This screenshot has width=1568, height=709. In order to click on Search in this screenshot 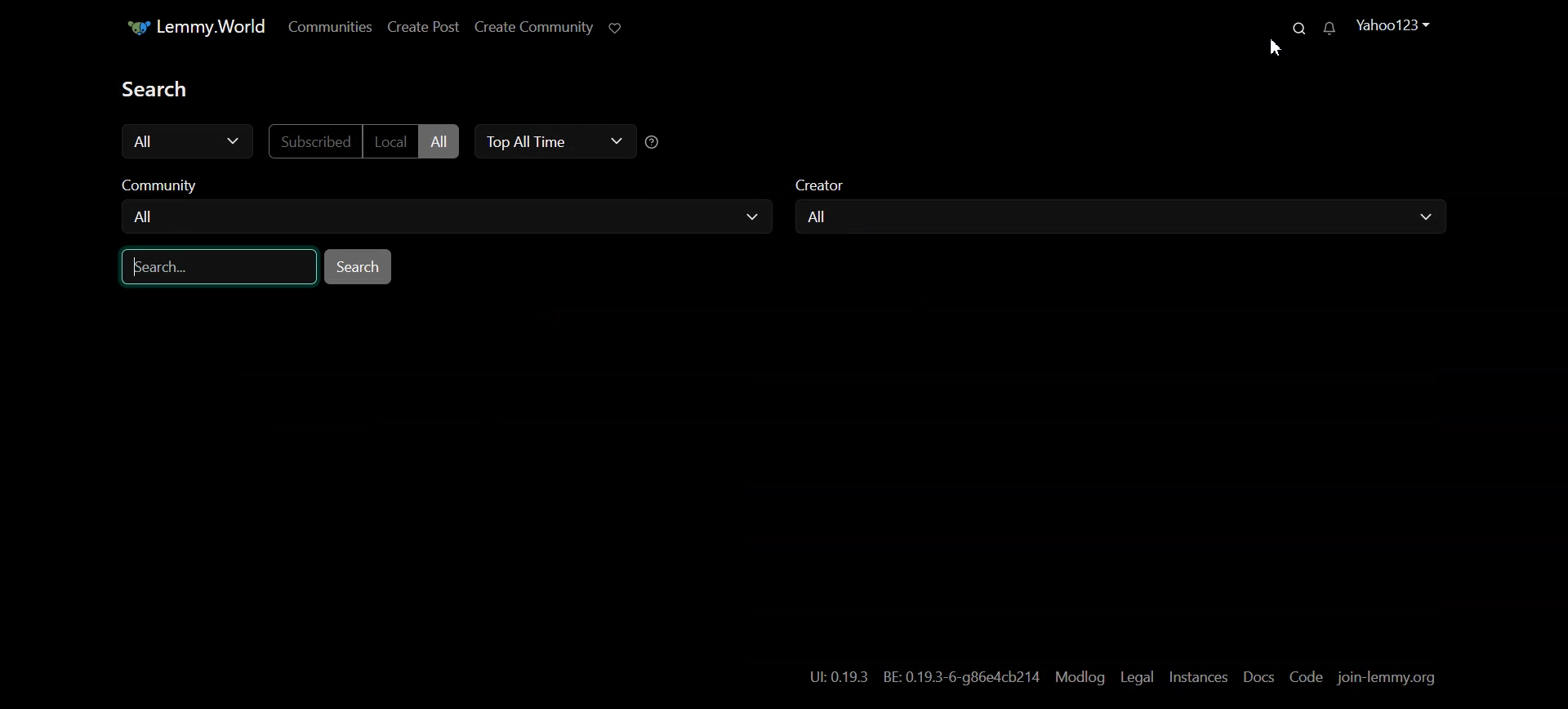, I will do `click(361, 266)`.